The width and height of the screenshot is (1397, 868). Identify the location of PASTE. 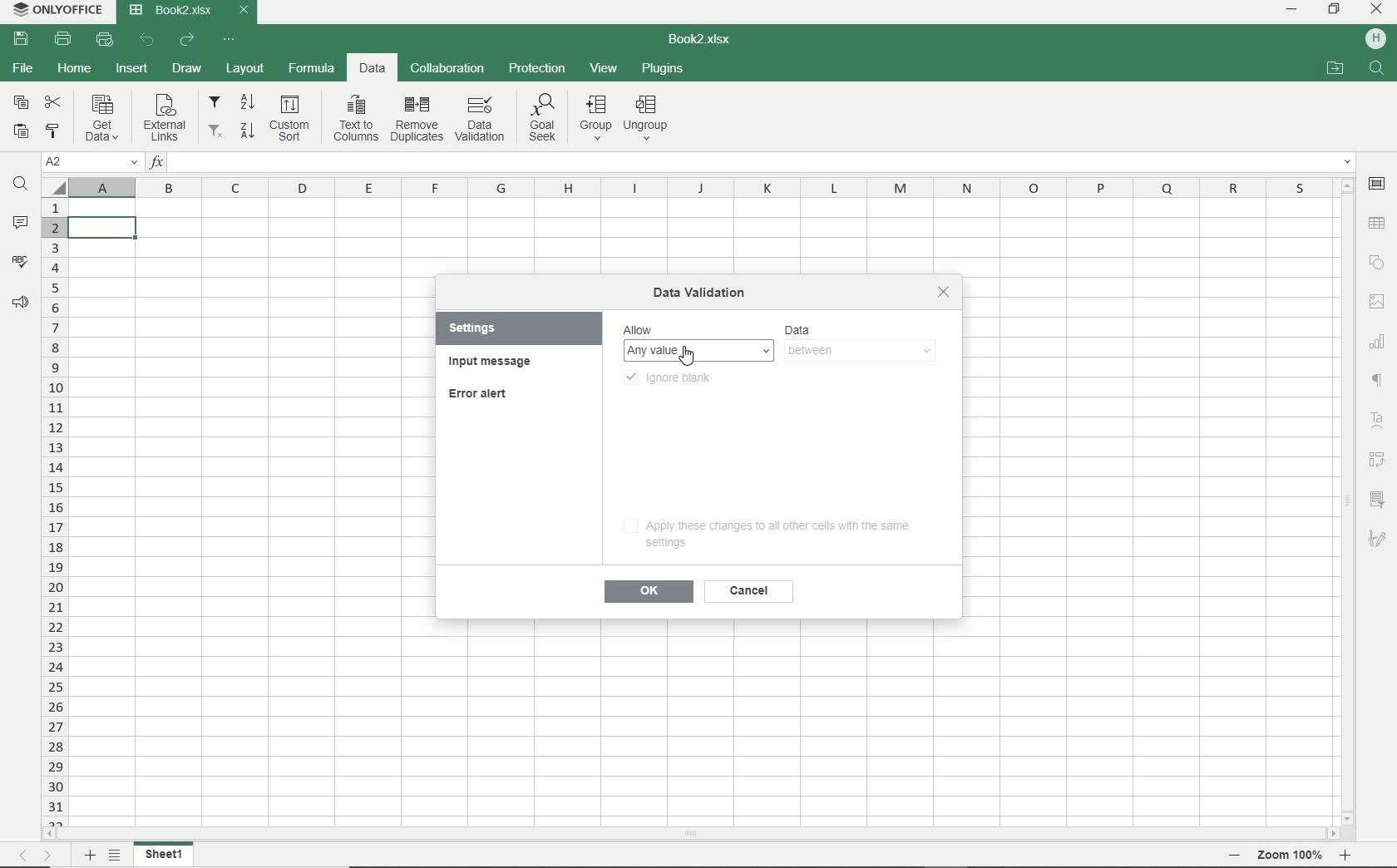
(24, 131).